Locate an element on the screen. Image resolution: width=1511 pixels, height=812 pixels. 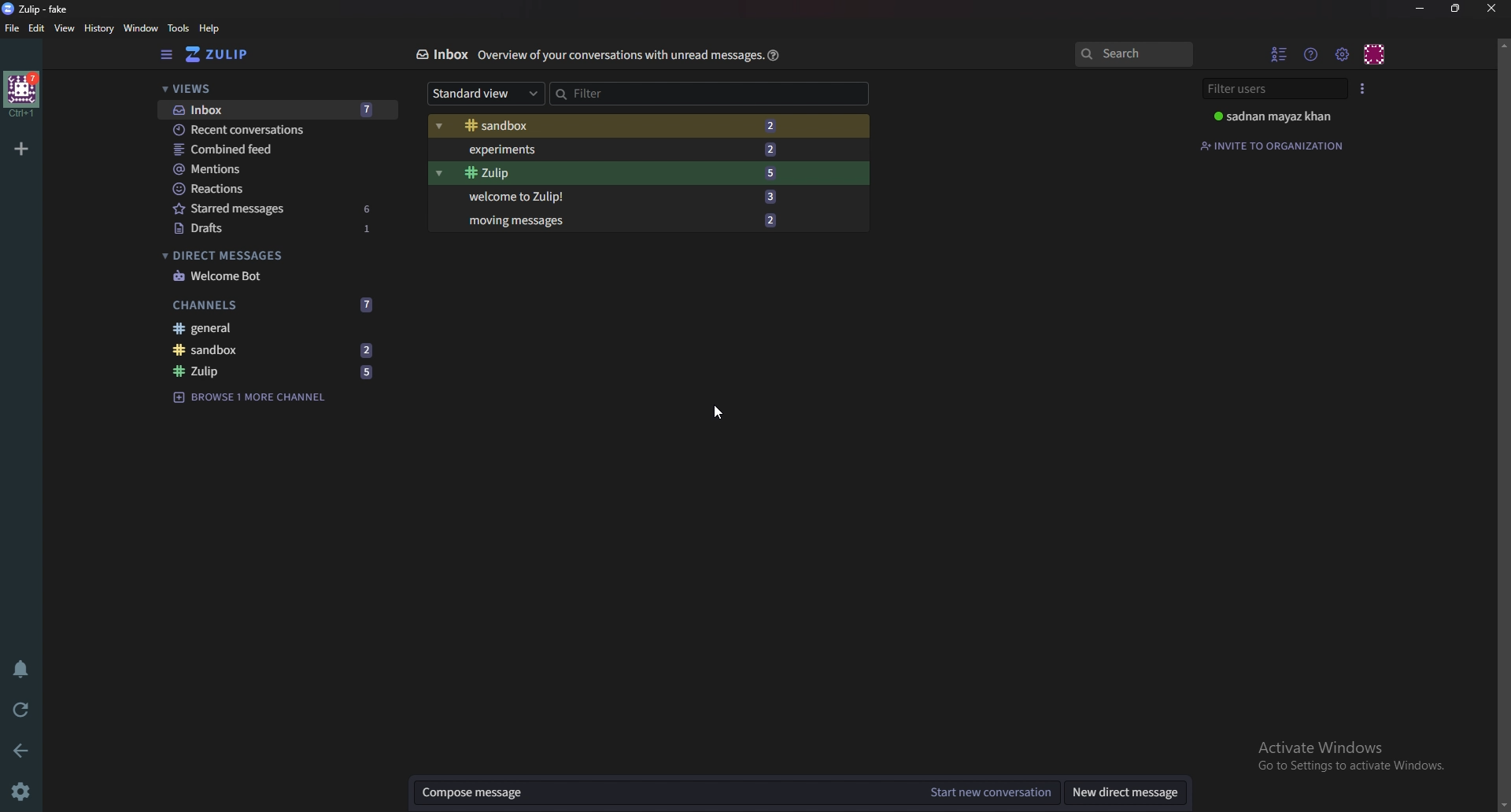
Help is located at coordinates (213, 28).